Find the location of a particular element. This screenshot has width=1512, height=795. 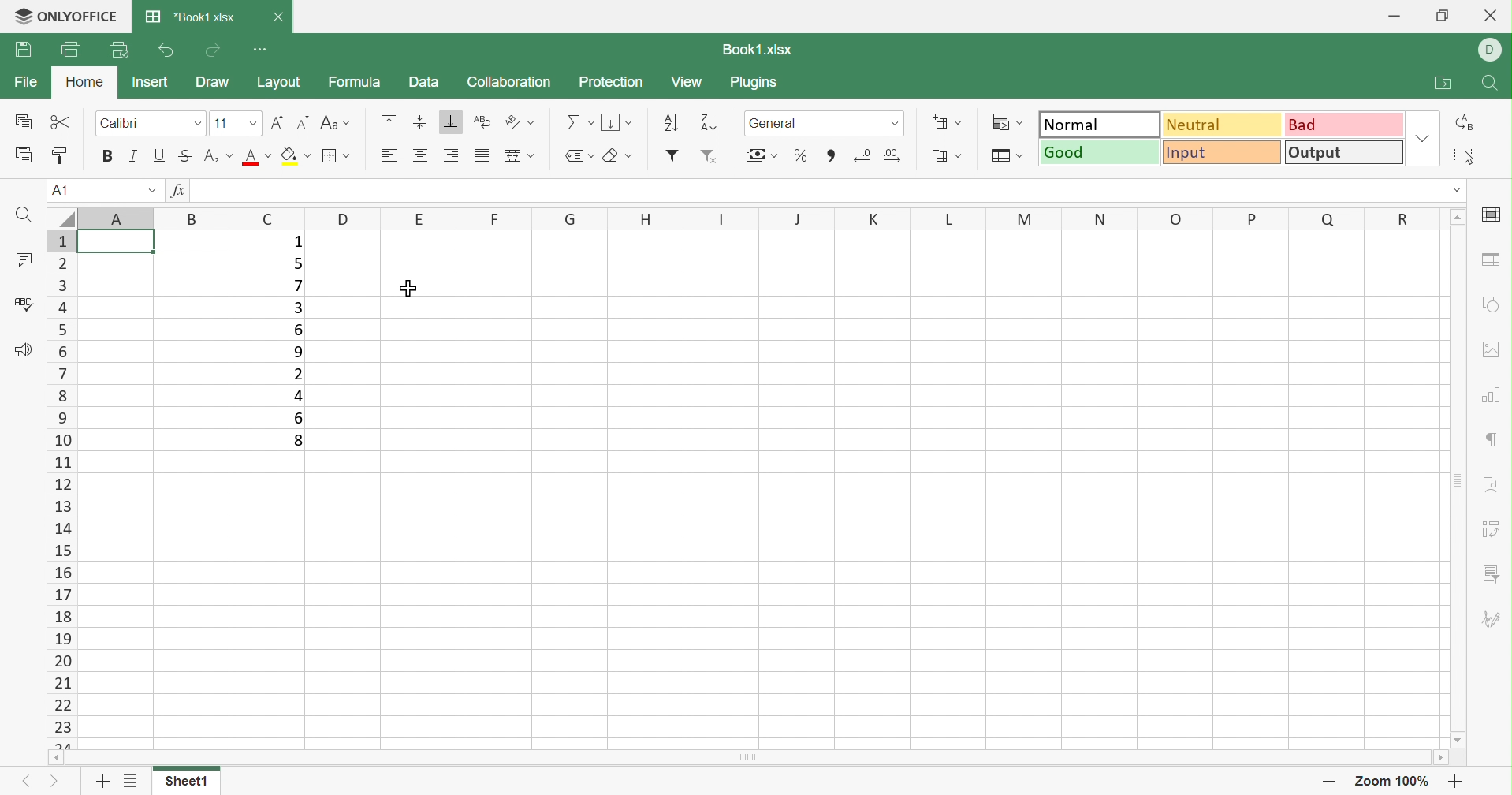

Filter is located at coordinates (669, 155).